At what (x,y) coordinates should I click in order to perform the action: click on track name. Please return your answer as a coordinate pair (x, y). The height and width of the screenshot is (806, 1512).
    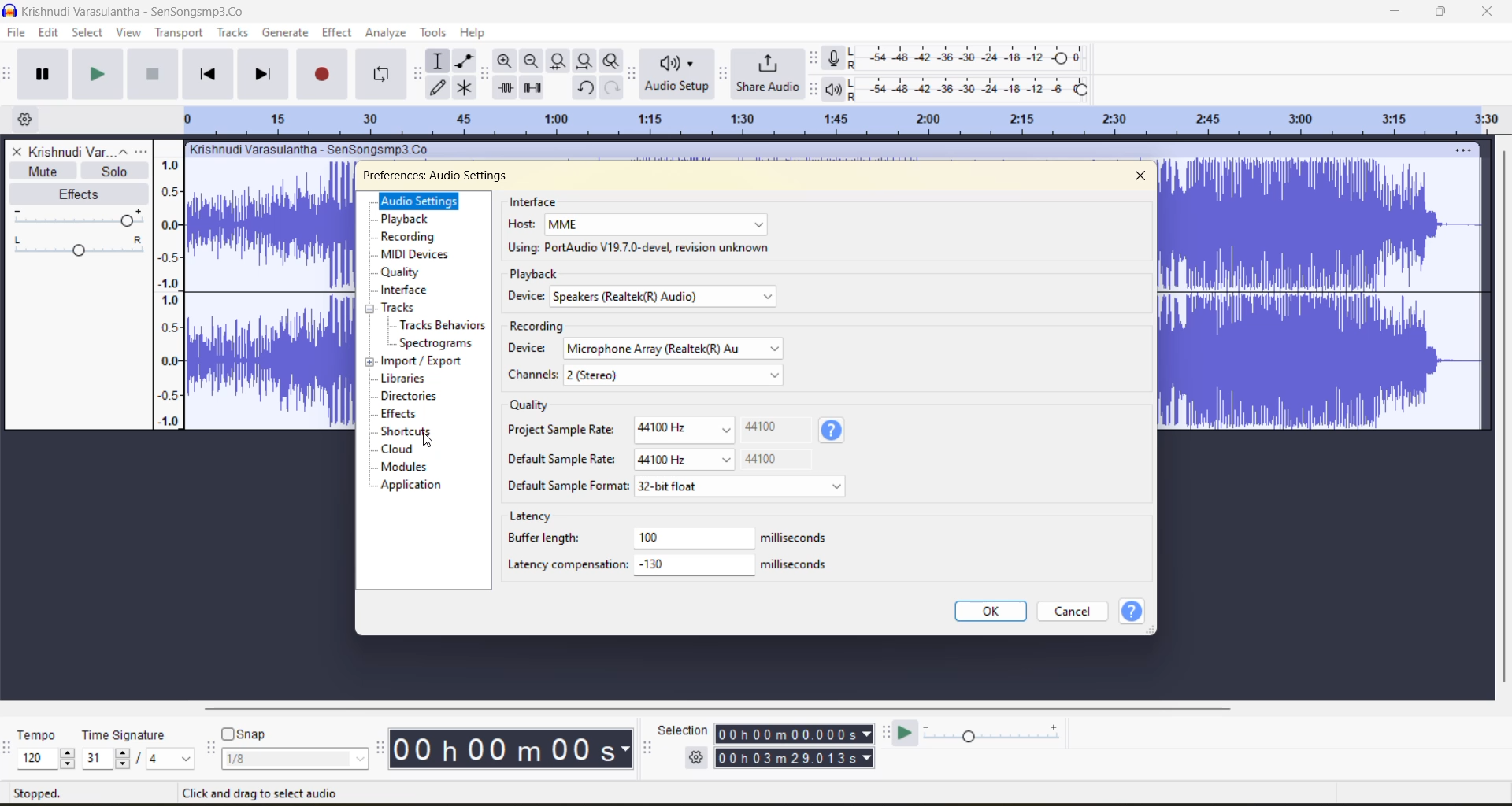
    Looking at the image, I should click on (312, 151).